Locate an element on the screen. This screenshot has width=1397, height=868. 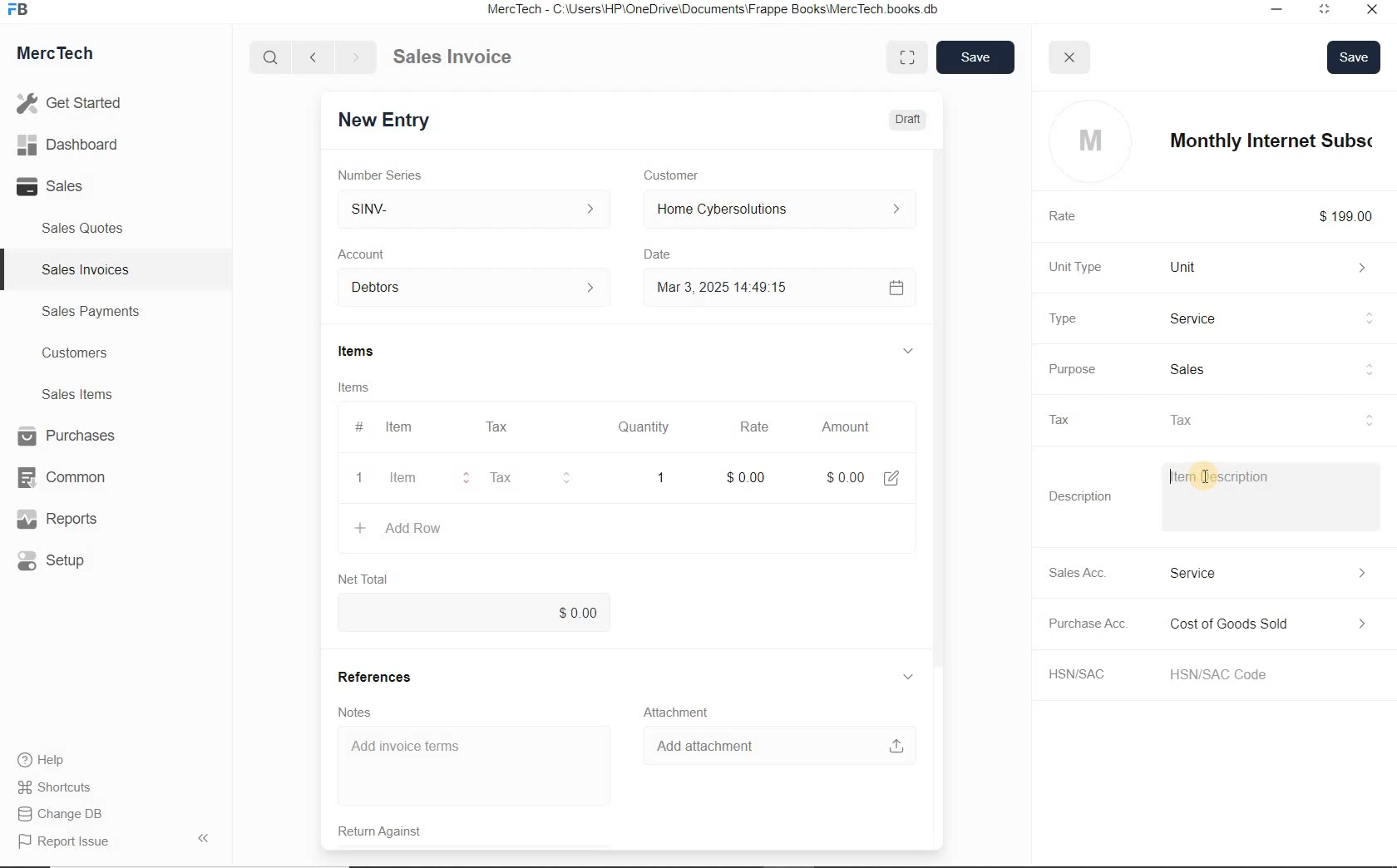
save is located at coordinates (973, 58).